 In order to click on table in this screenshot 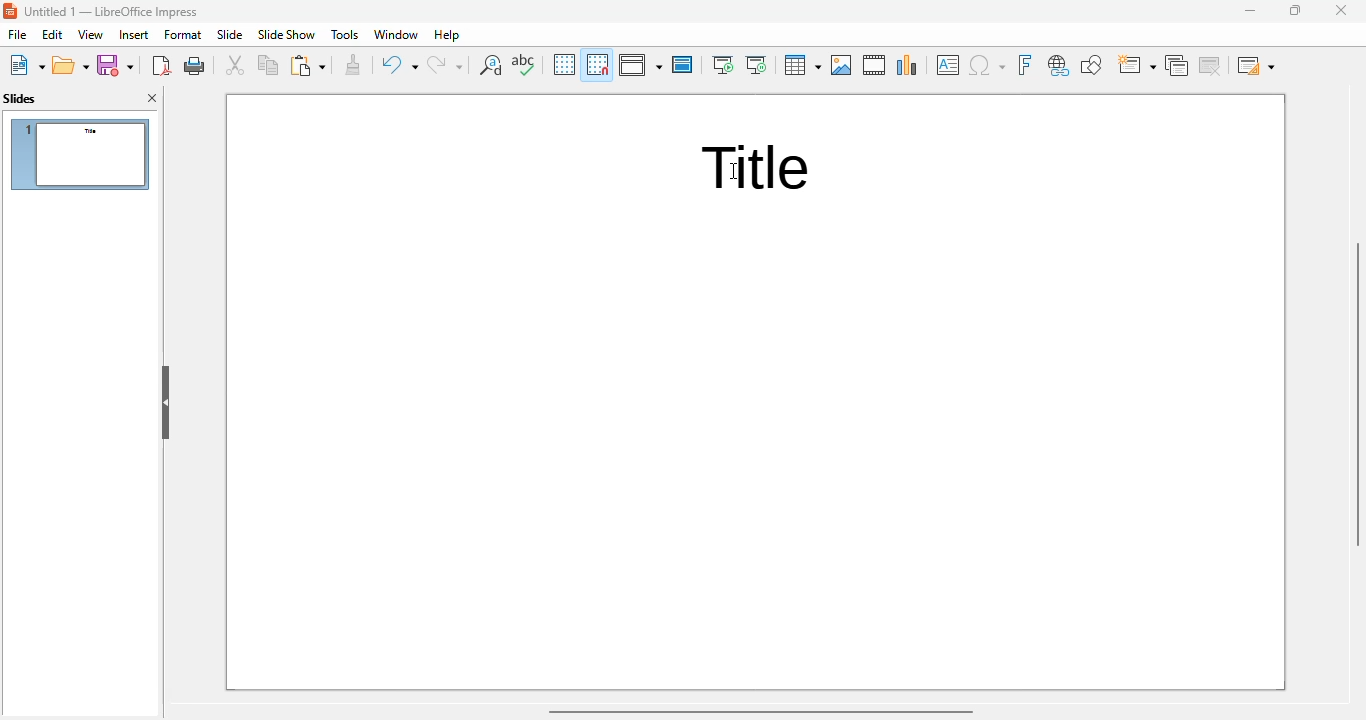, I will do `click(802, 65)`.